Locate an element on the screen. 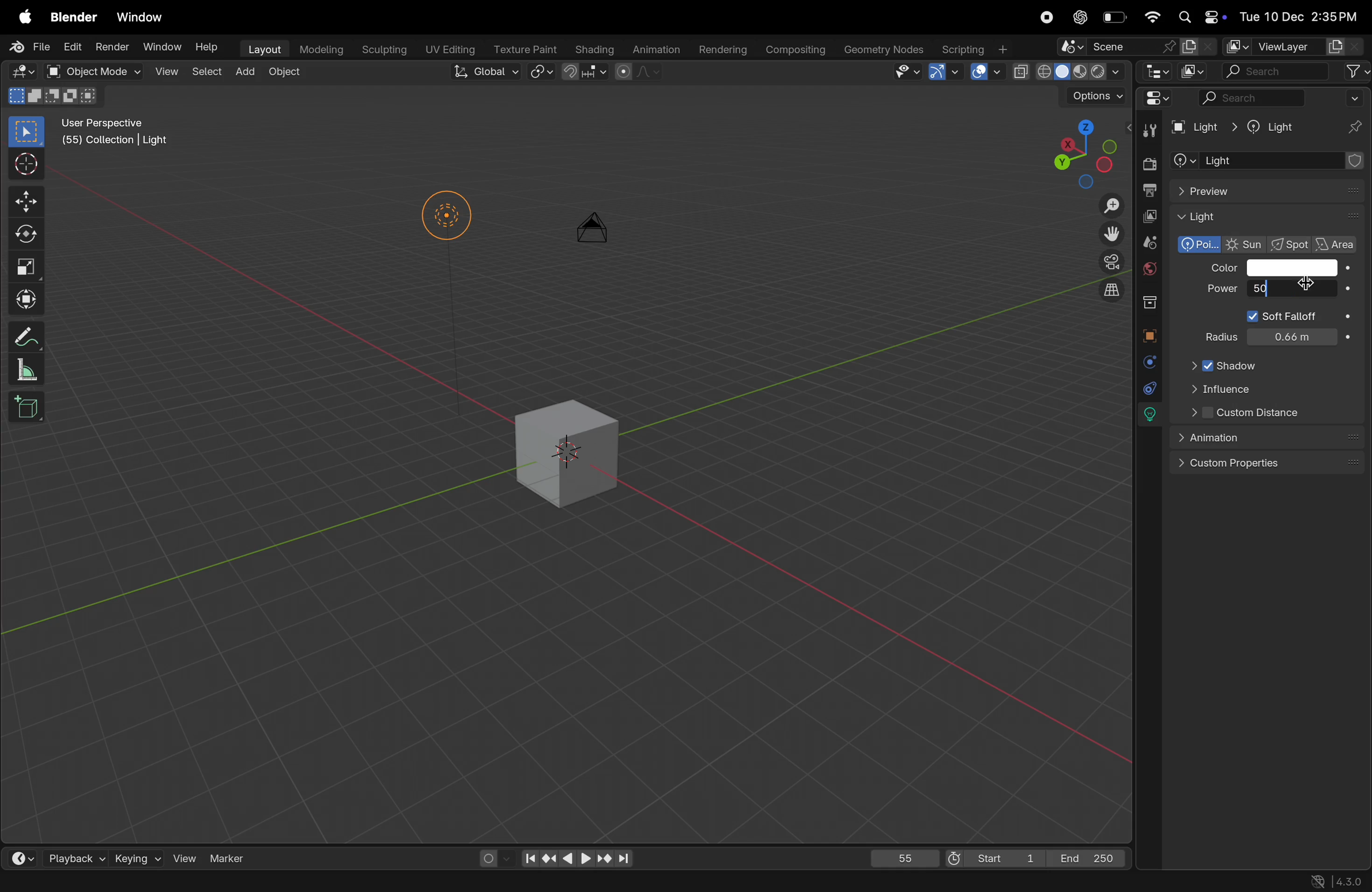 Image resolution: width=1372 pixels, height=892 pixels. add object contrastaint is located at coordinates (1266, 161).